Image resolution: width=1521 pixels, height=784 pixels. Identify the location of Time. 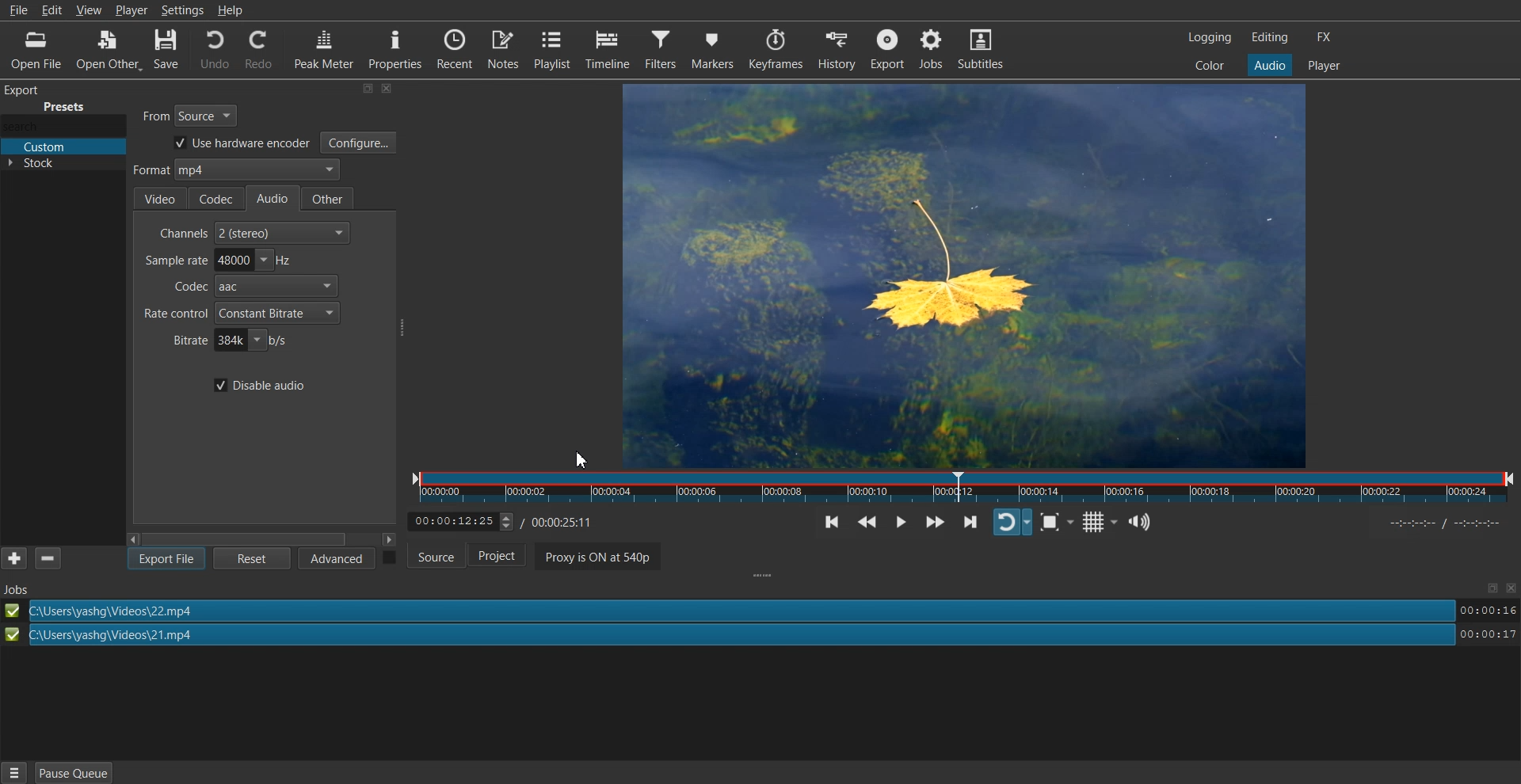
(503, 520).